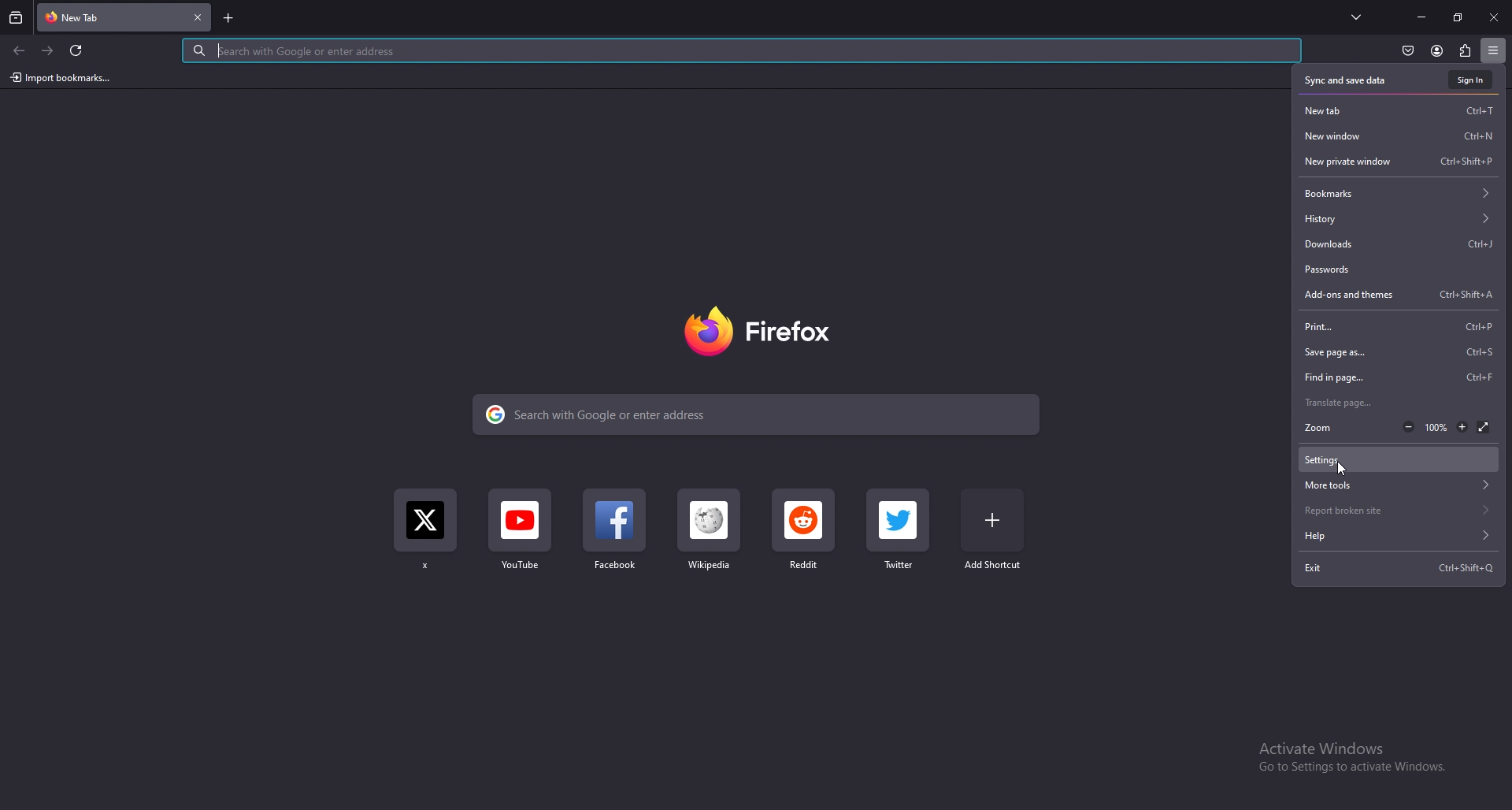 The image size is (1512, 810). Describe the element at coordinates (1402, 137) in the screenshot. I see `new window` at that location.